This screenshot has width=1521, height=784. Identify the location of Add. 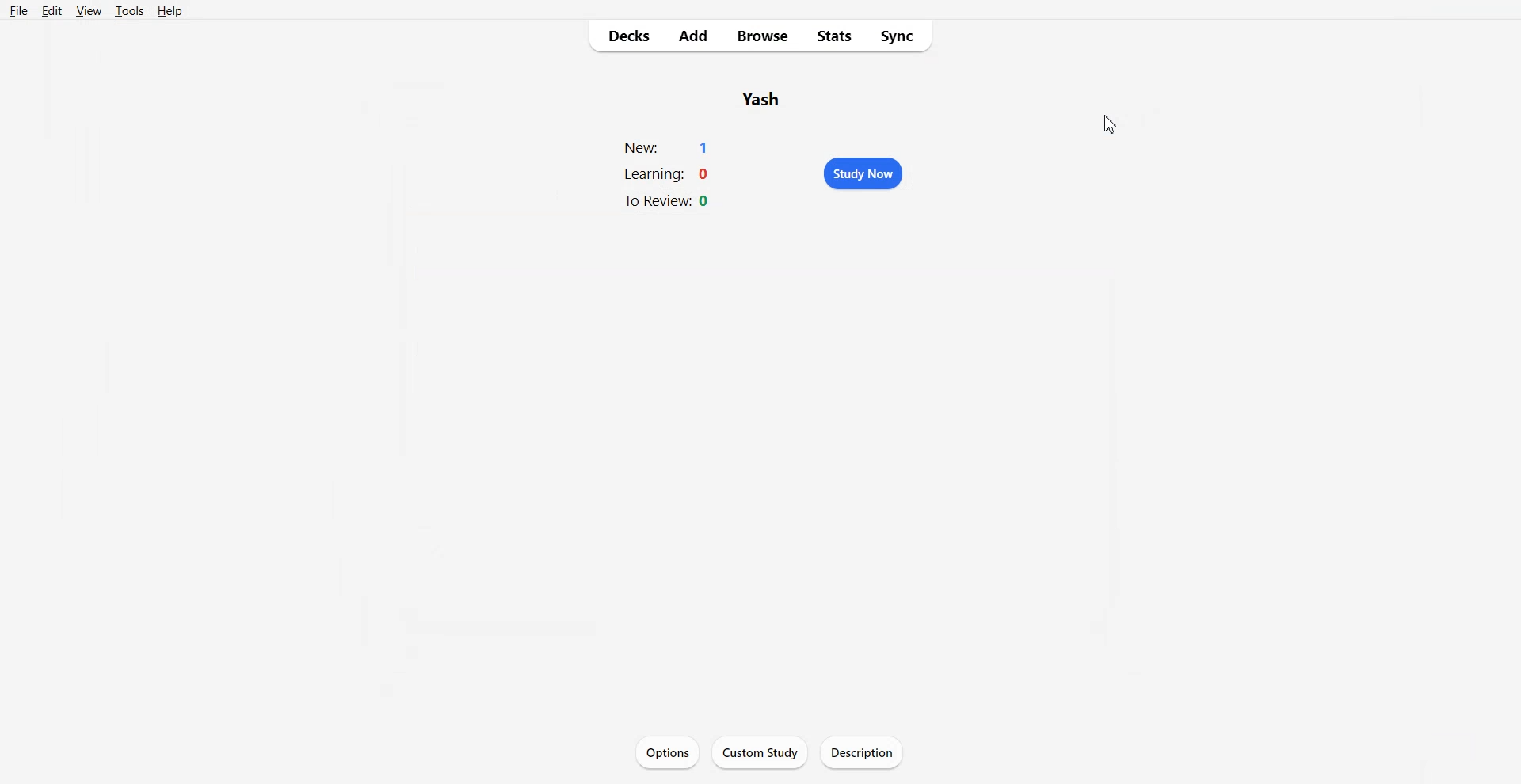
(698, 36).